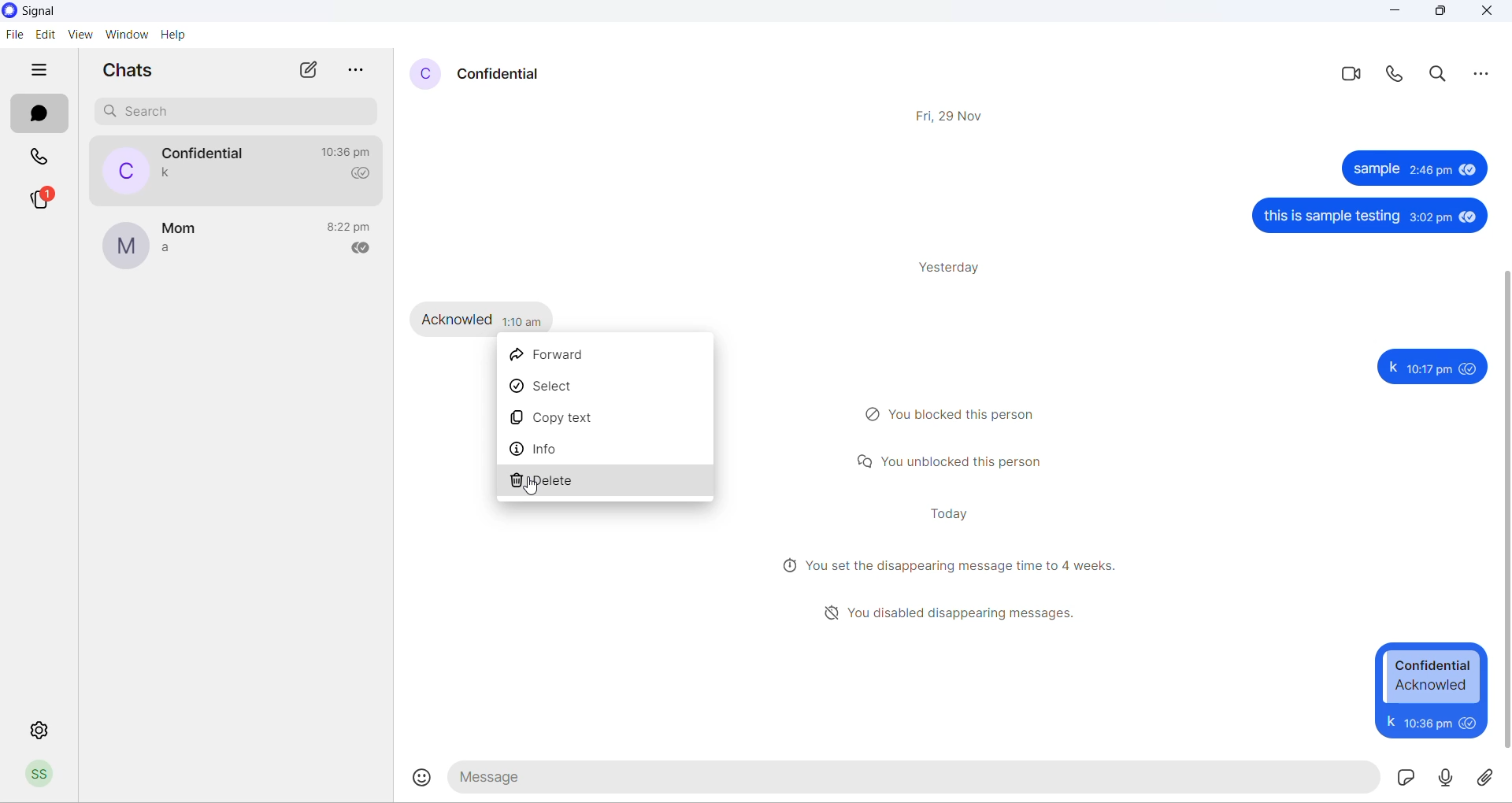 The width and height of the screenshot is (1512, 803). Describe the element at coordinates (1406, 777) in the screenshot. I see `sticker` at that location.